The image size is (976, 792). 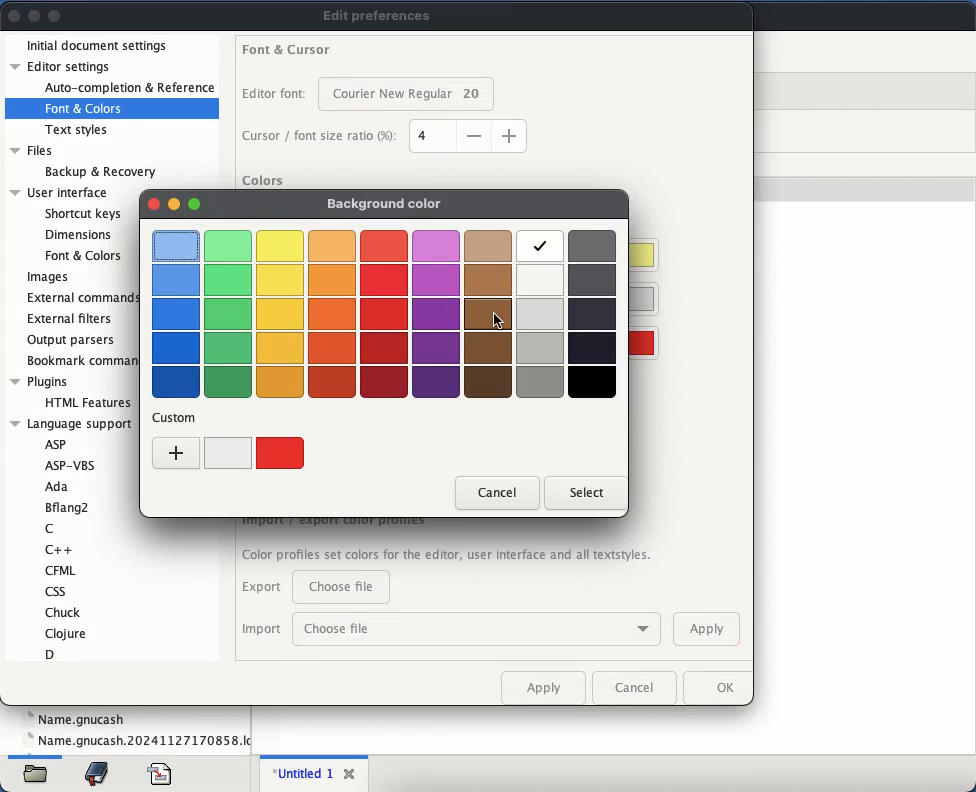 What do you see at coordinates (54, 549) in the screenshot?
I see `C++` at bounding box center [54, 549].